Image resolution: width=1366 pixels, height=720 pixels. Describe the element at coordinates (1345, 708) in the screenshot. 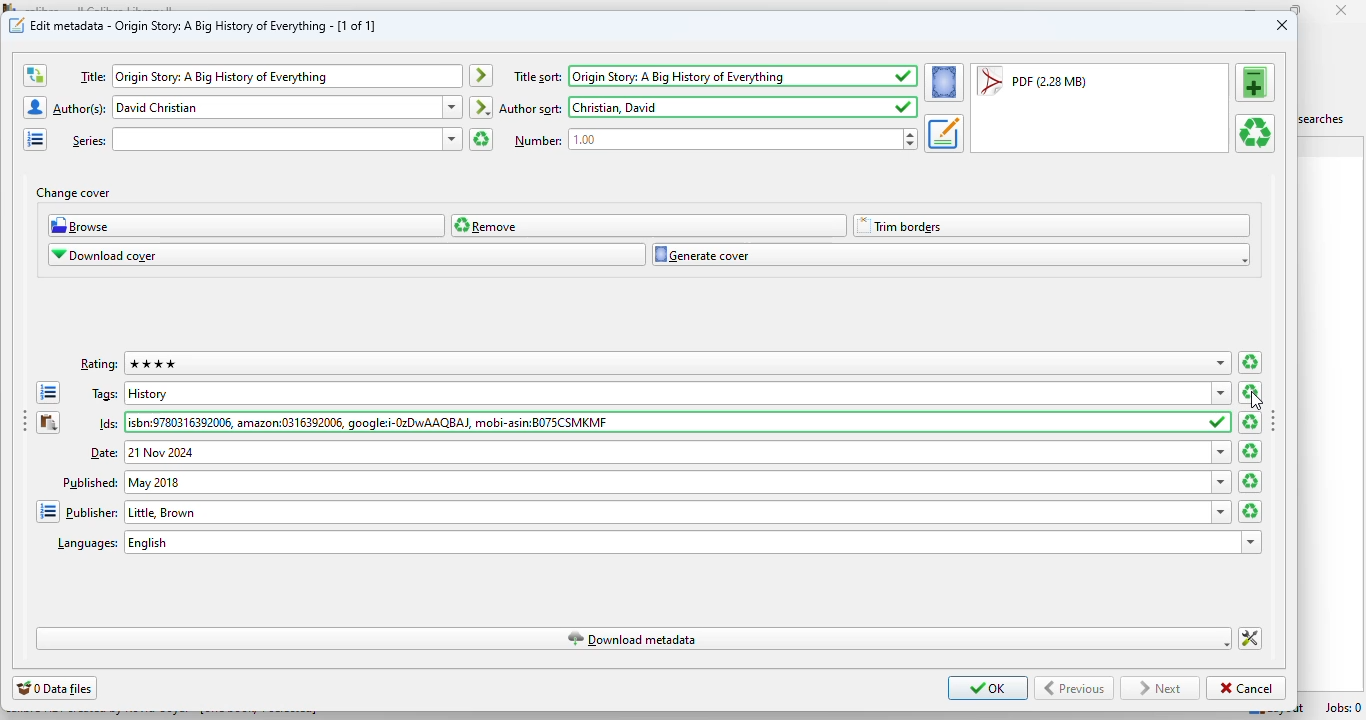

I see `jobs: 0` at that location.